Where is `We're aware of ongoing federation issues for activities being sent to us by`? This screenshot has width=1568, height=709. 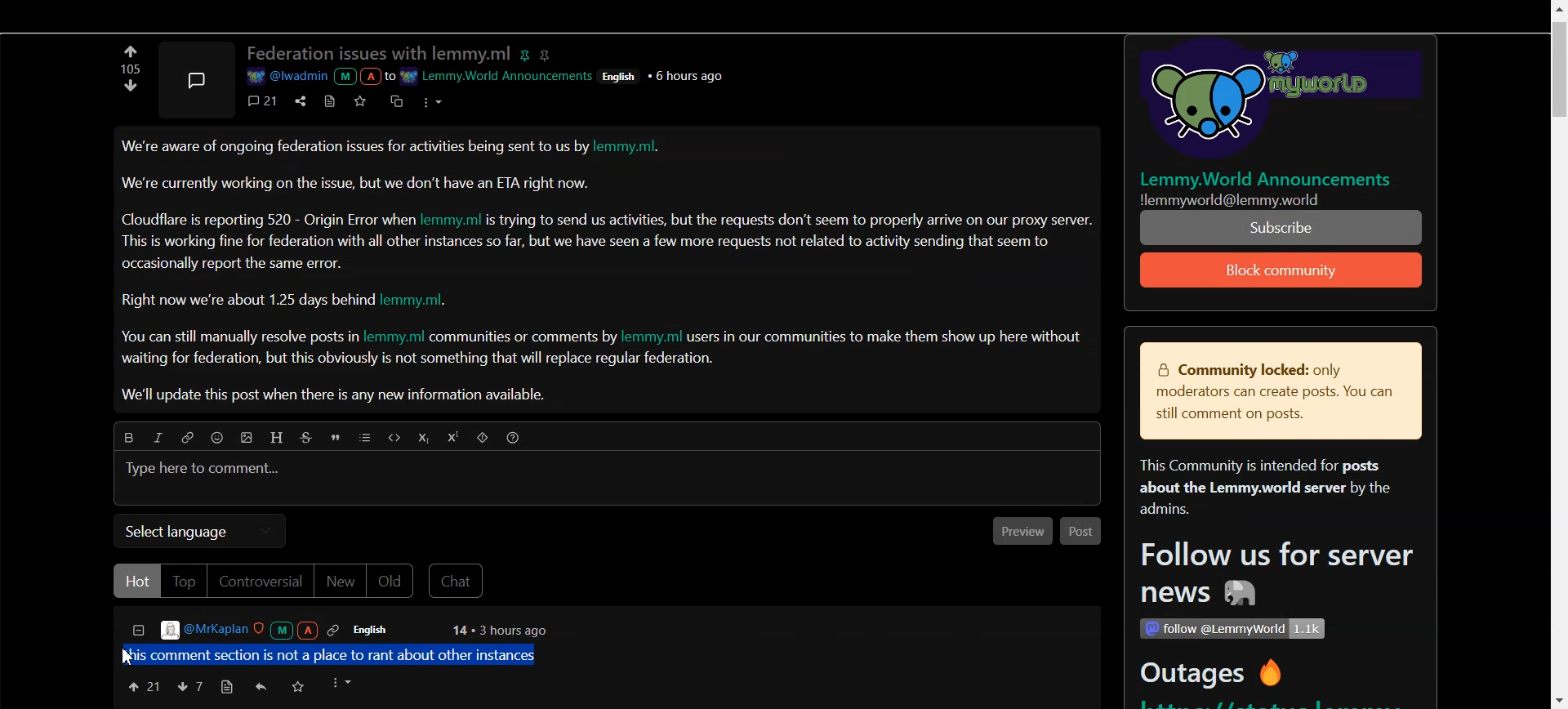 We're aware of ongoing federation issues for activities being sent to us by is located at coordinates (355, 150).